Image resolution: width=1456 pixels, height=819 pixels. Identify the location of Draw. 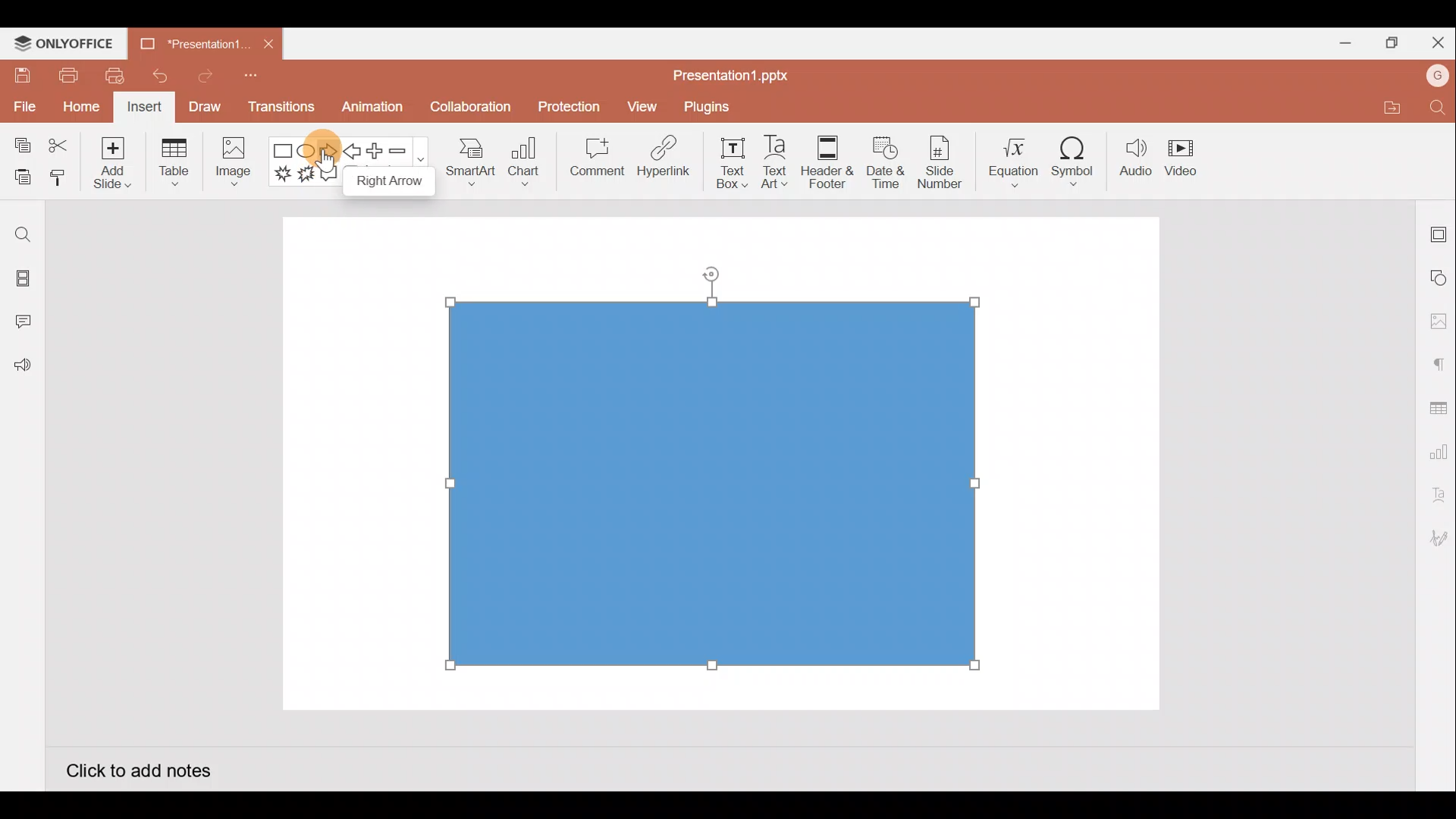
(204, 106).